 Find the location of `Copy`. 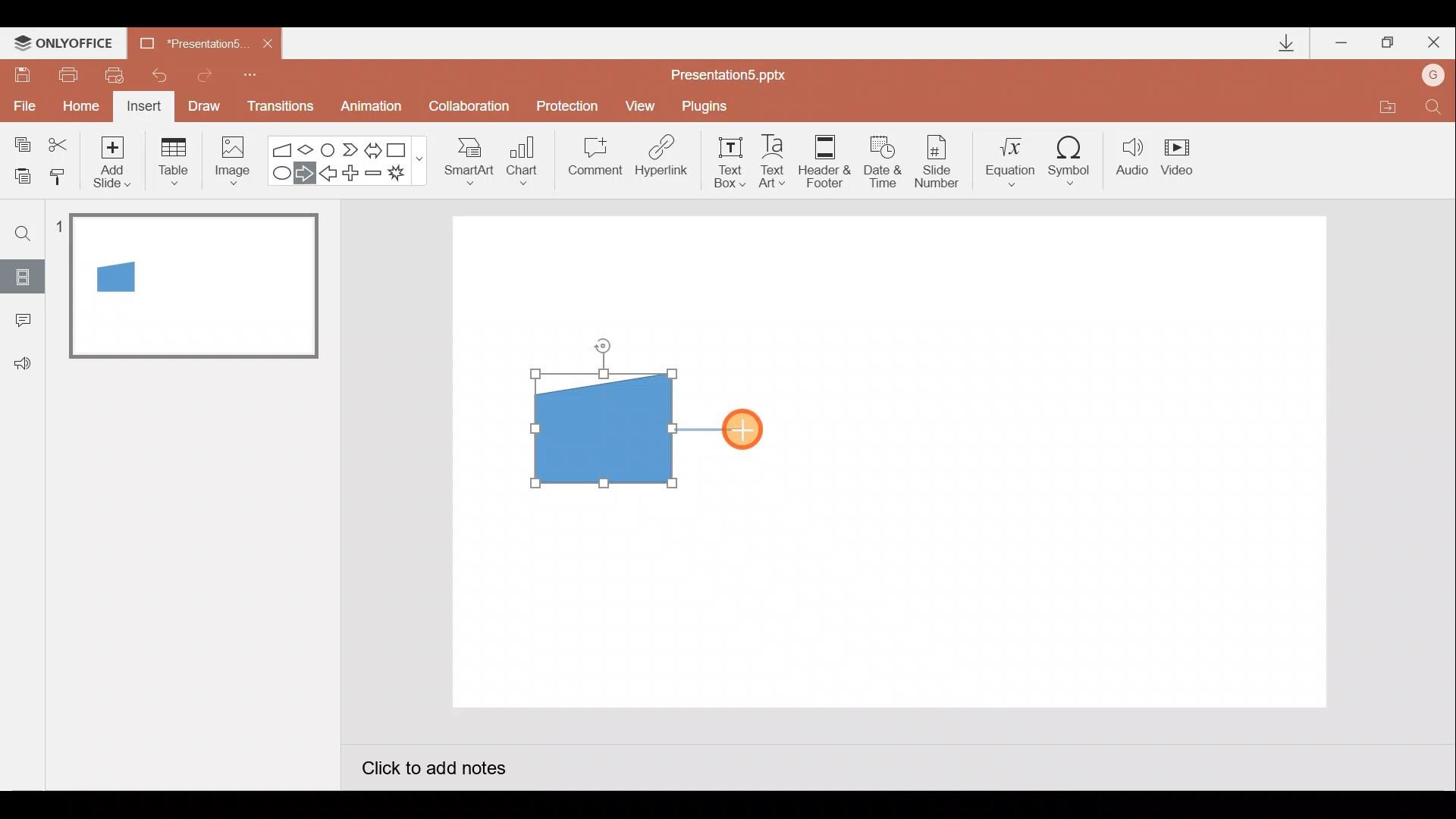

Copy is located at coordinates (20, 142).